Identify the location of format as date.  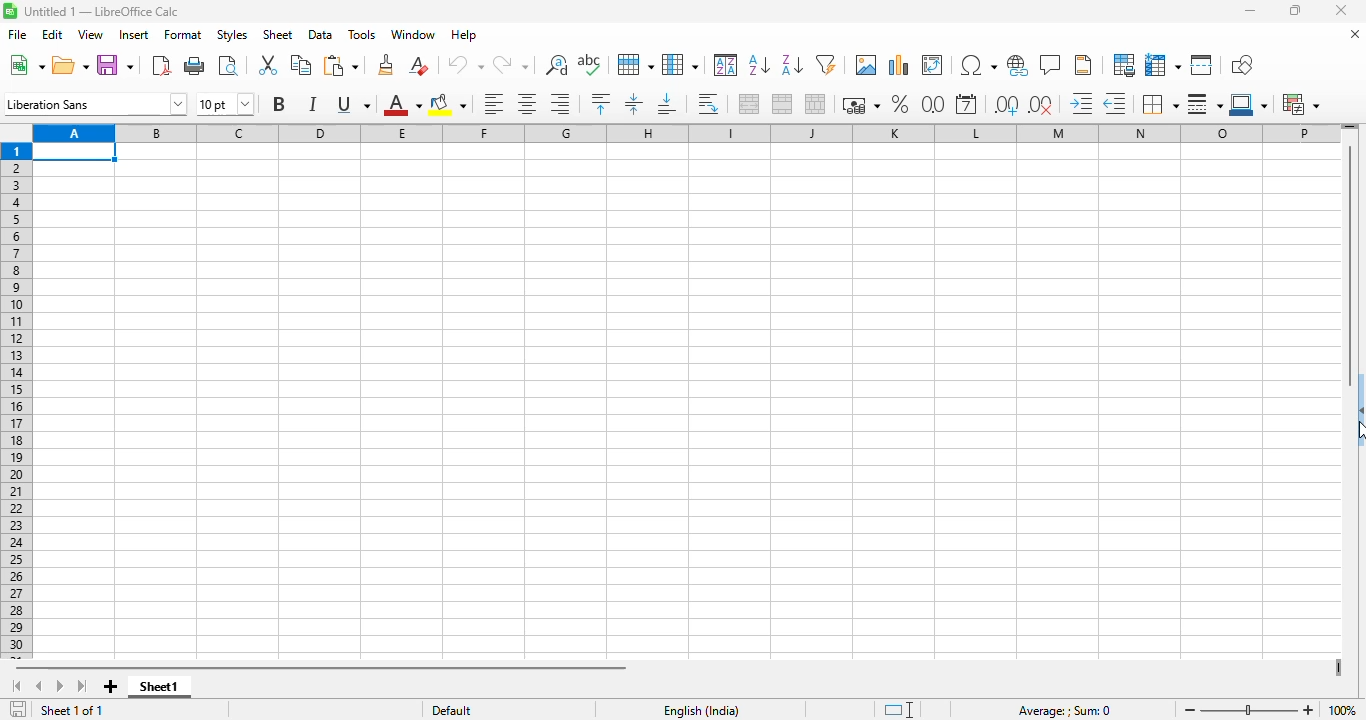
(966, 104).